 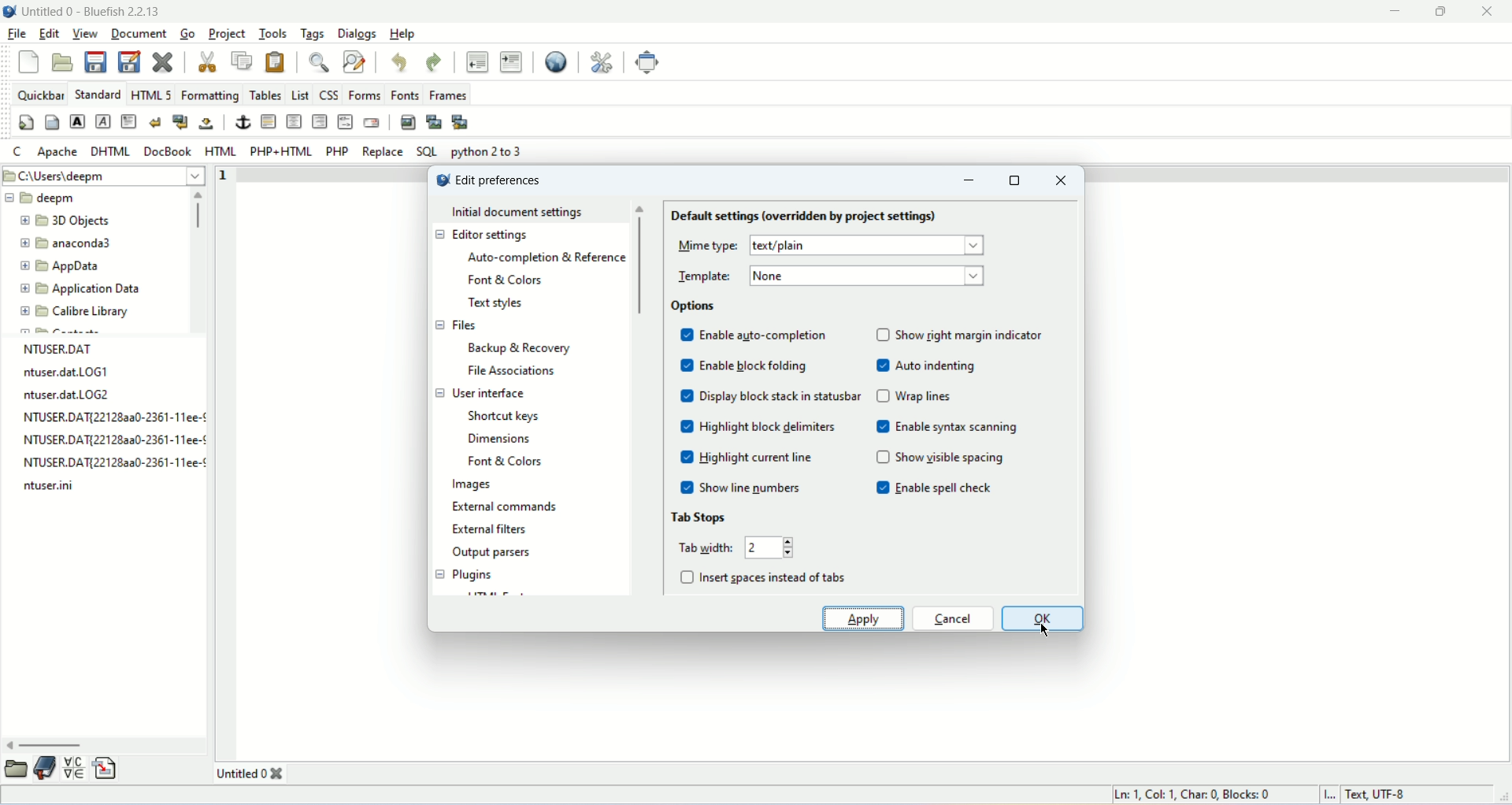 I want to click on tags, so click(x=313, y=33).